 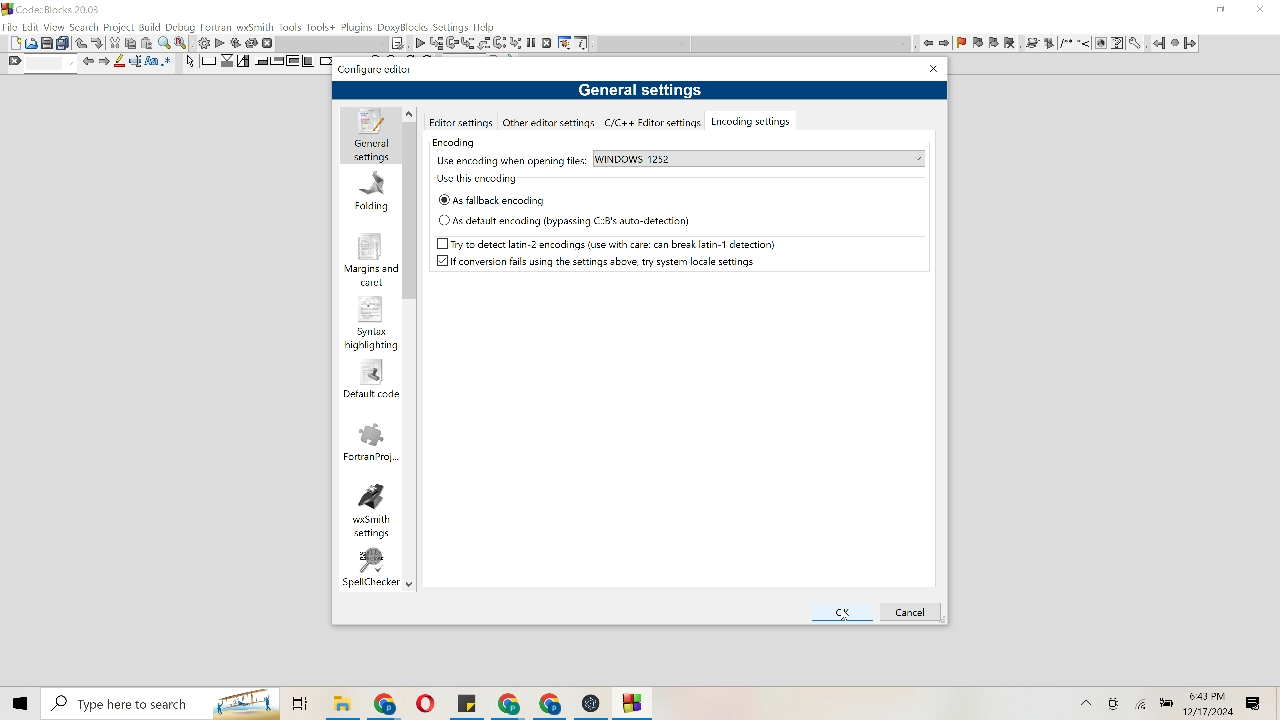 I want to click on File, so click(x=551, y=704).